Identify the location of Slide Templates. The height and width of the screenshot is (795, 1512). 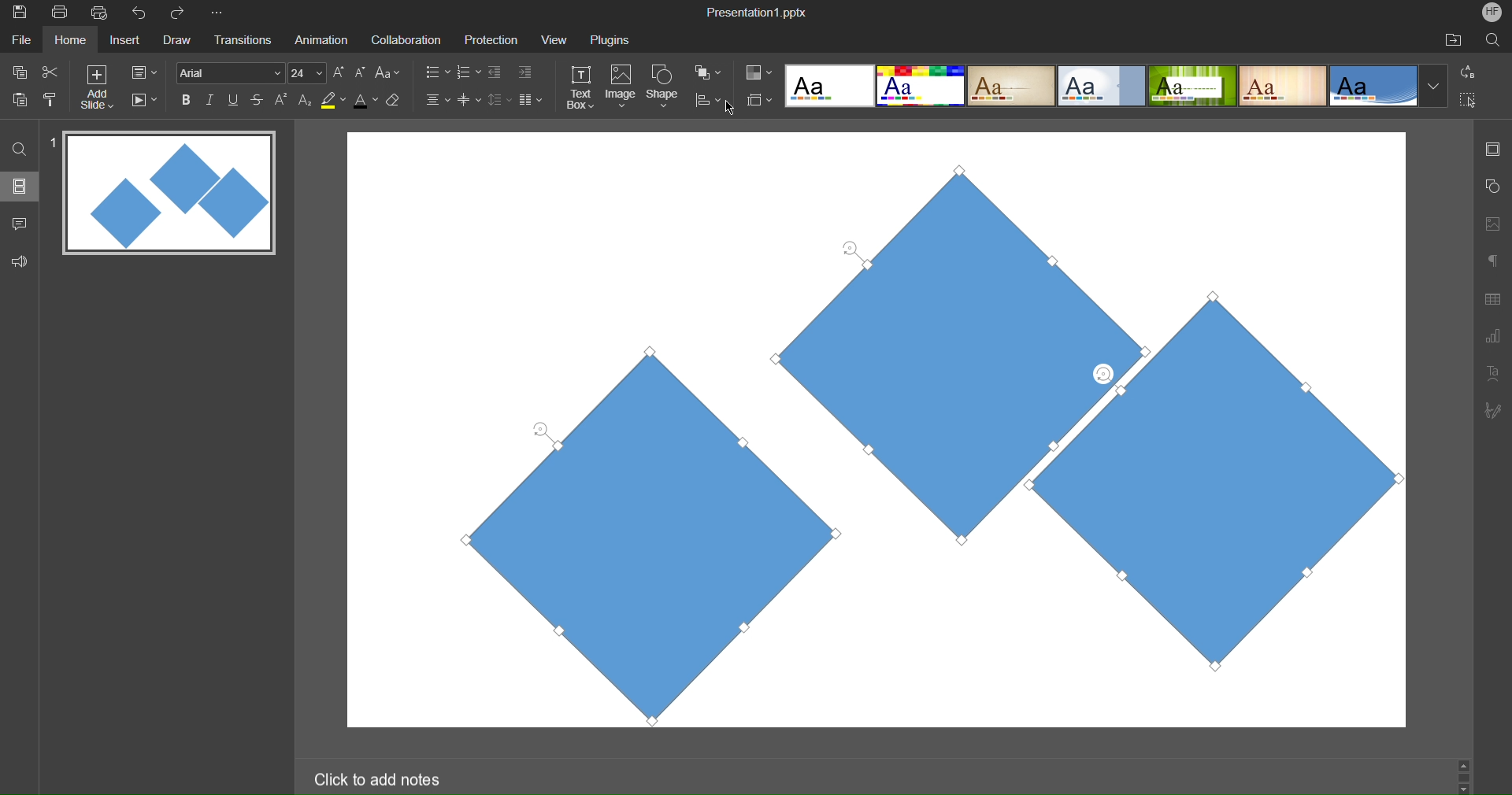
(1117, 84).